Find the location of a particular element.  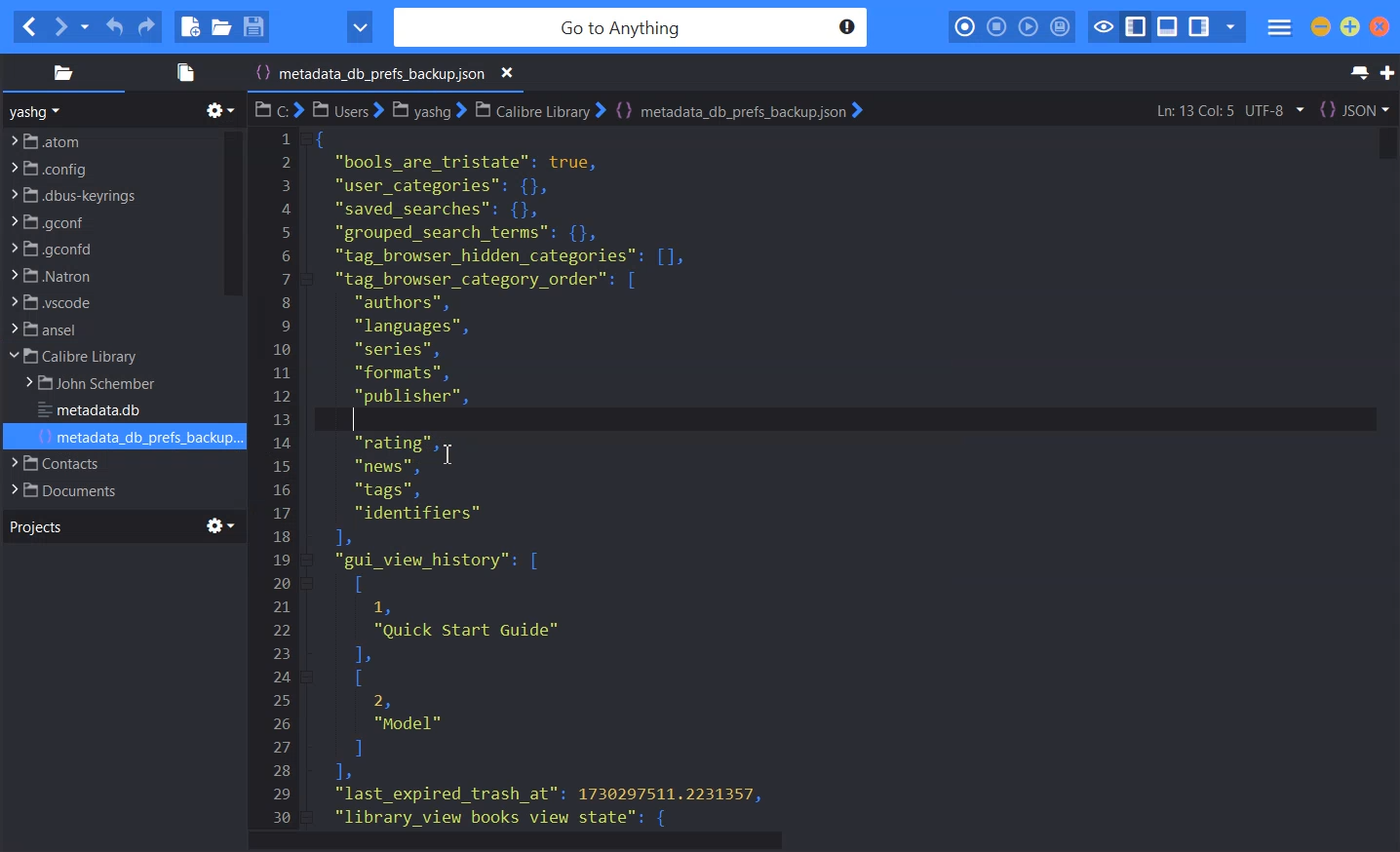

Maximize is located at coordinates (1350, 26).